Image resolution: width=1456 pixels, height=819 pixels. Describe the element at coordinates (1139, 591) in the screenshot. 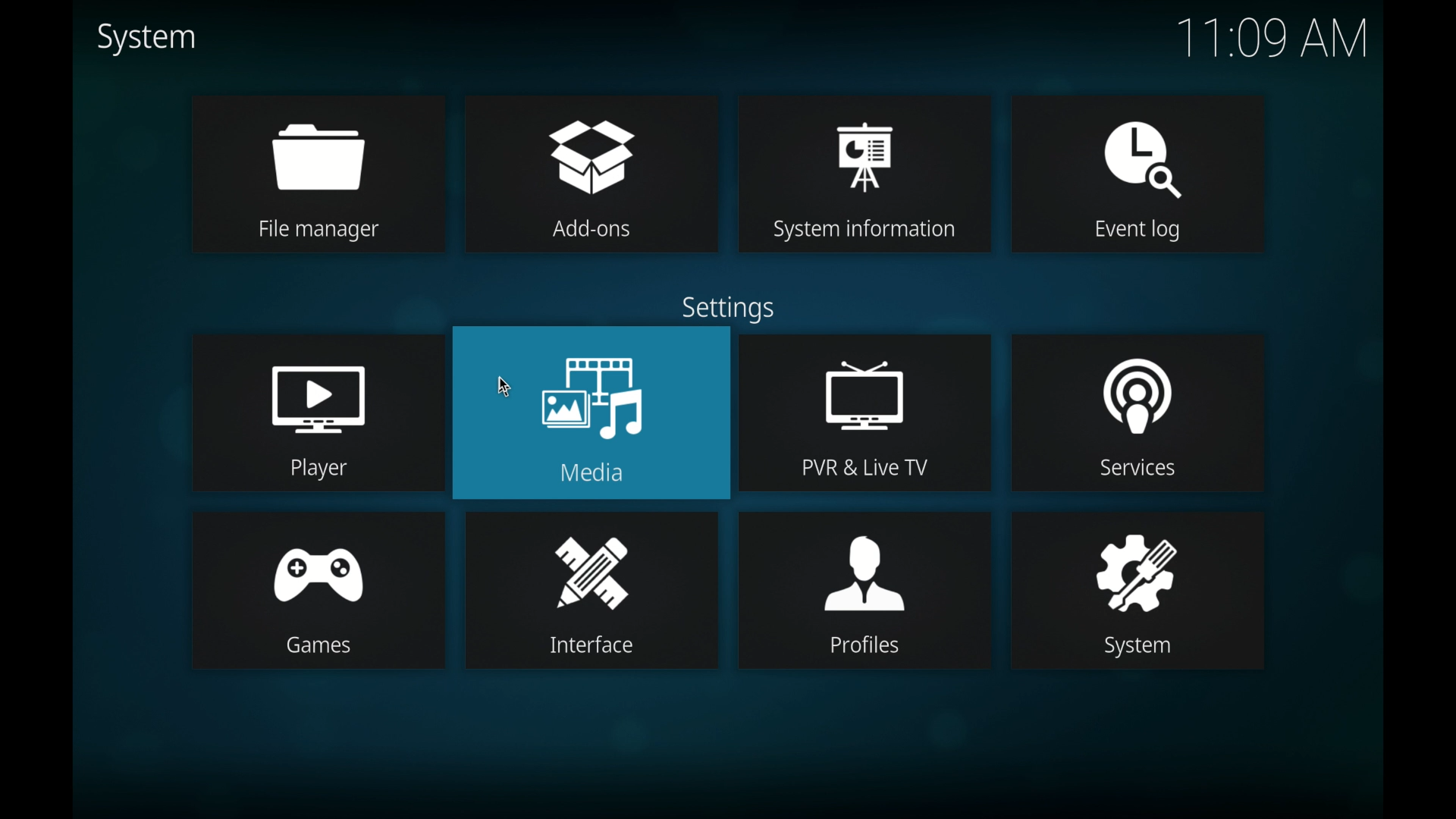

I see `system` at that location.